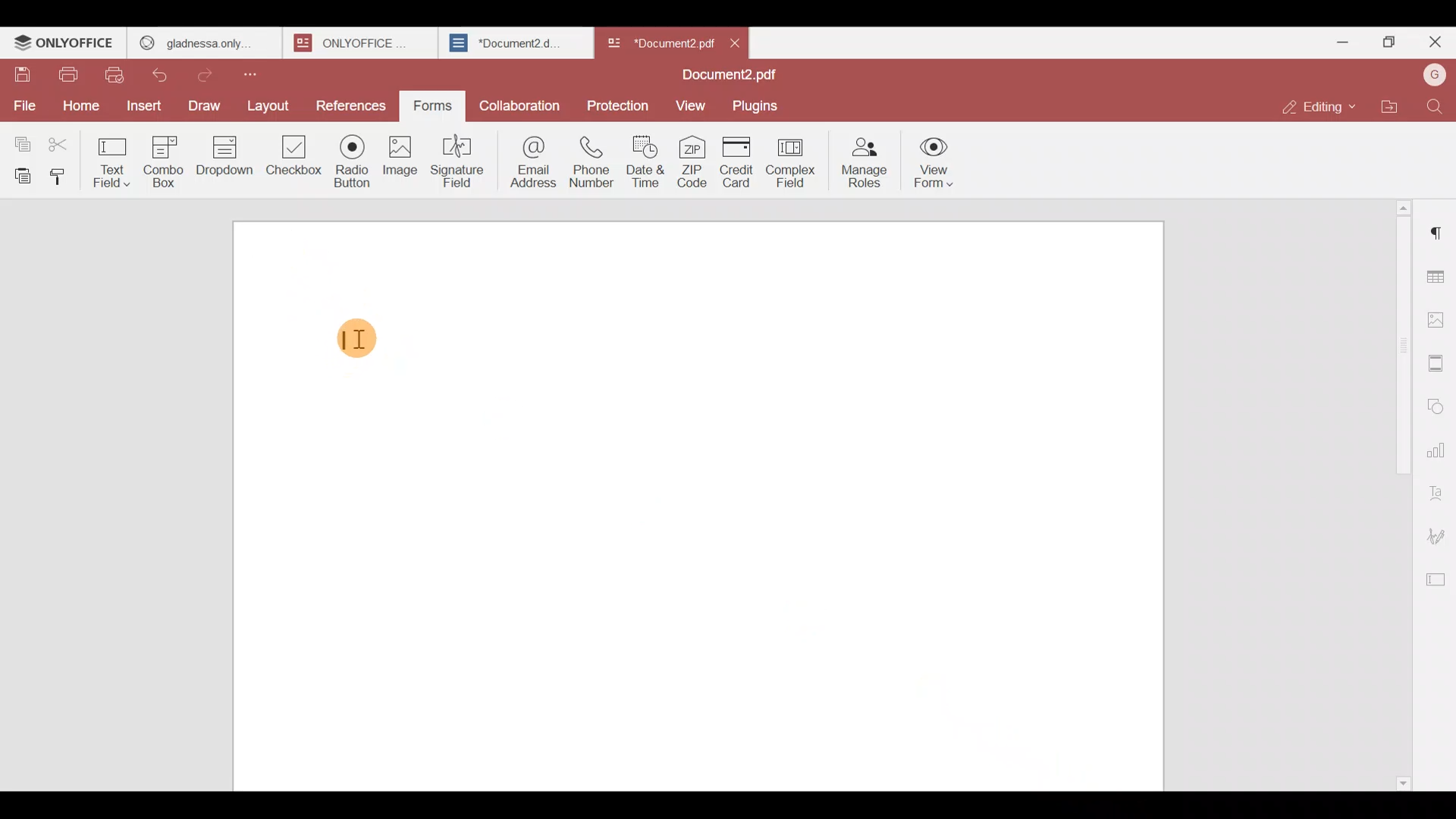 The height and width of the screenshot is (819, 1456). I want to click on Insert, so click(144, 109).